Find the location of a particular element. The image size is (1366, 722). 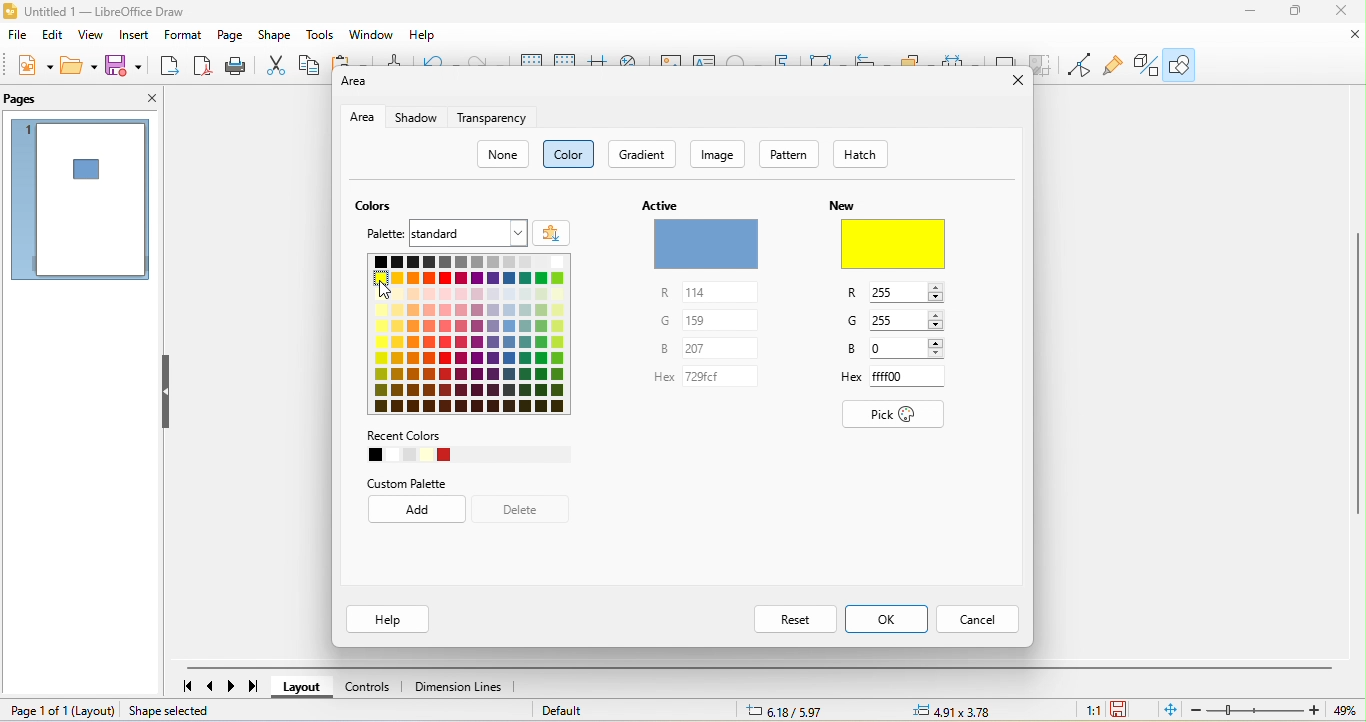

close is located at coordinates (1351, 36).